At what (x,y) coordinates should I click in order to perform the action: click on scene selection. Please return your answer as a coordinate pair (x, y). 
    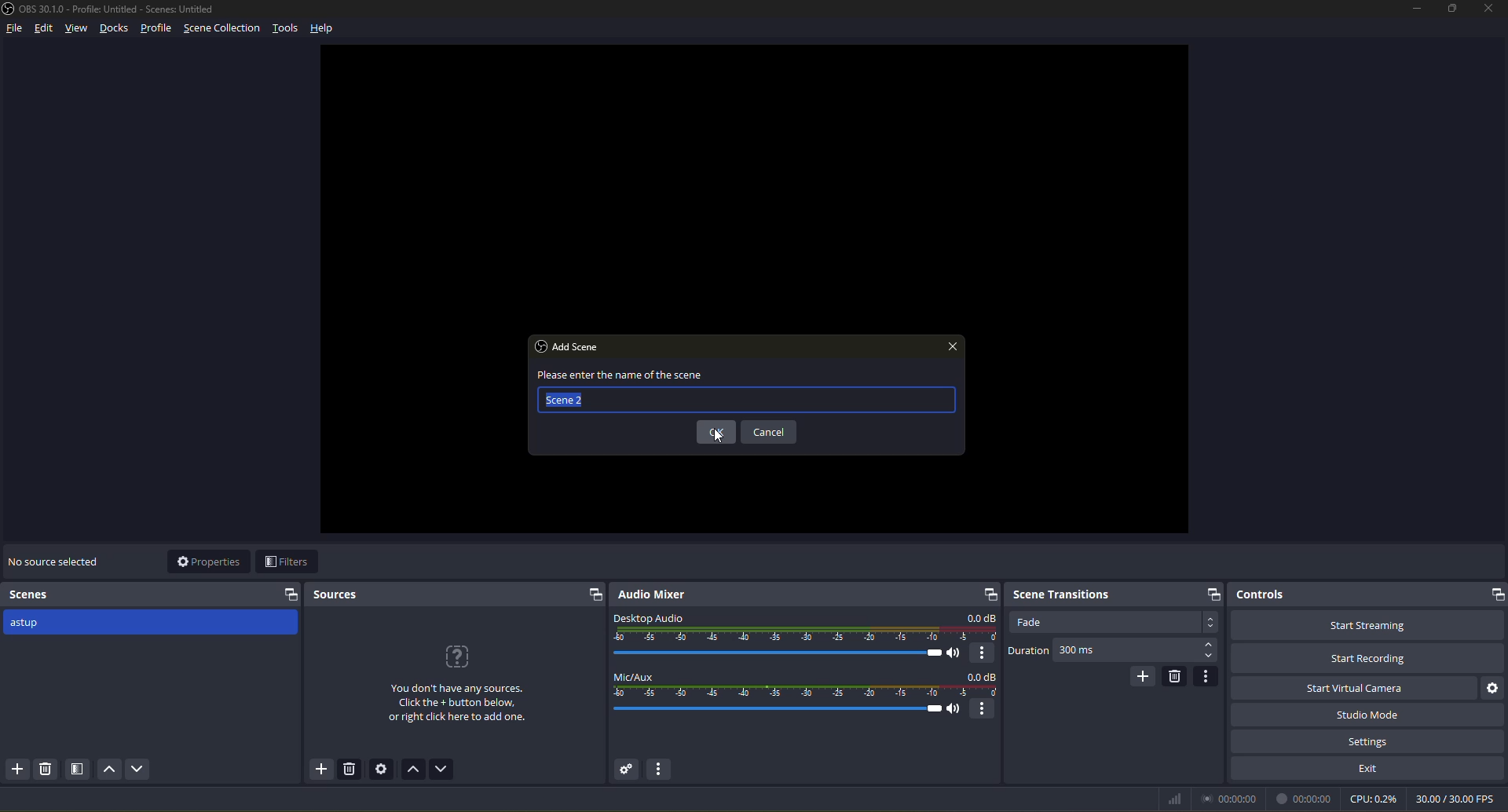
    Looking at the image, I should click on (225, 29).